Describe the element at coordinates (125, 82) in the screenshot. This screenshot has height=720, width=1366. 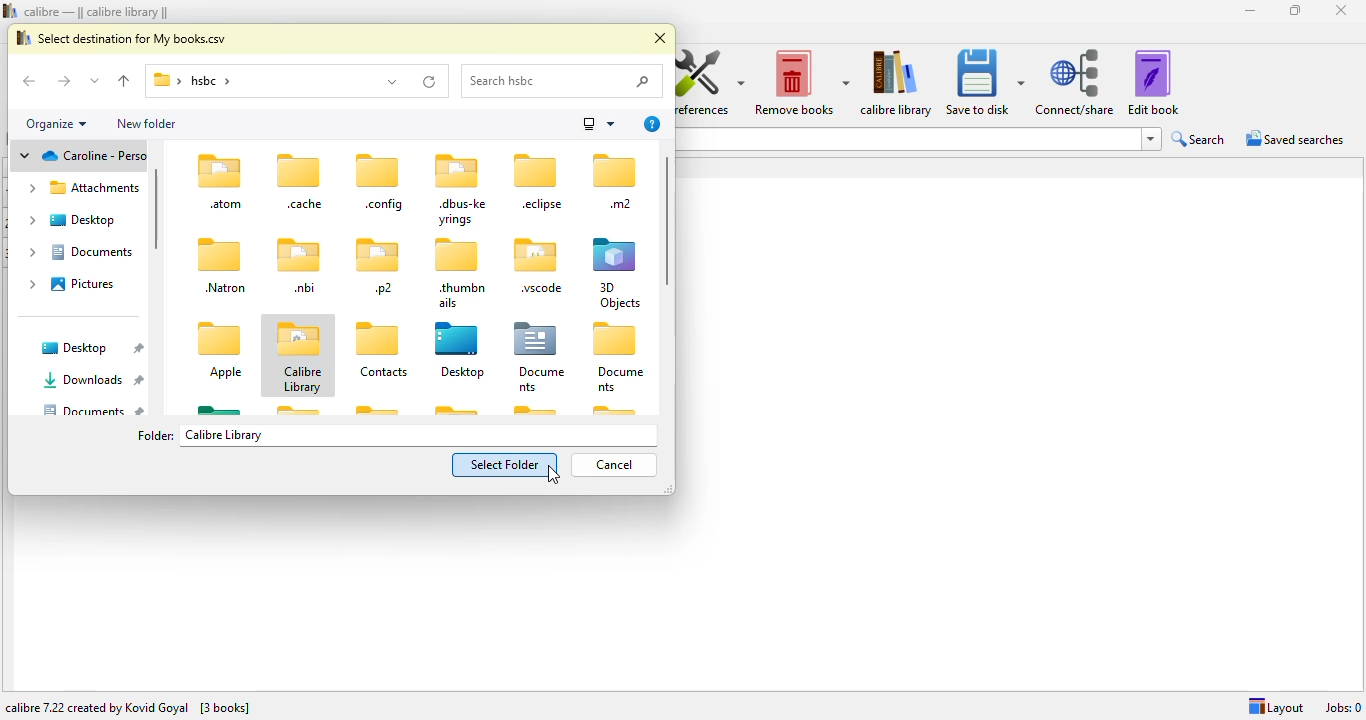
I see `up to "document"` at that location.